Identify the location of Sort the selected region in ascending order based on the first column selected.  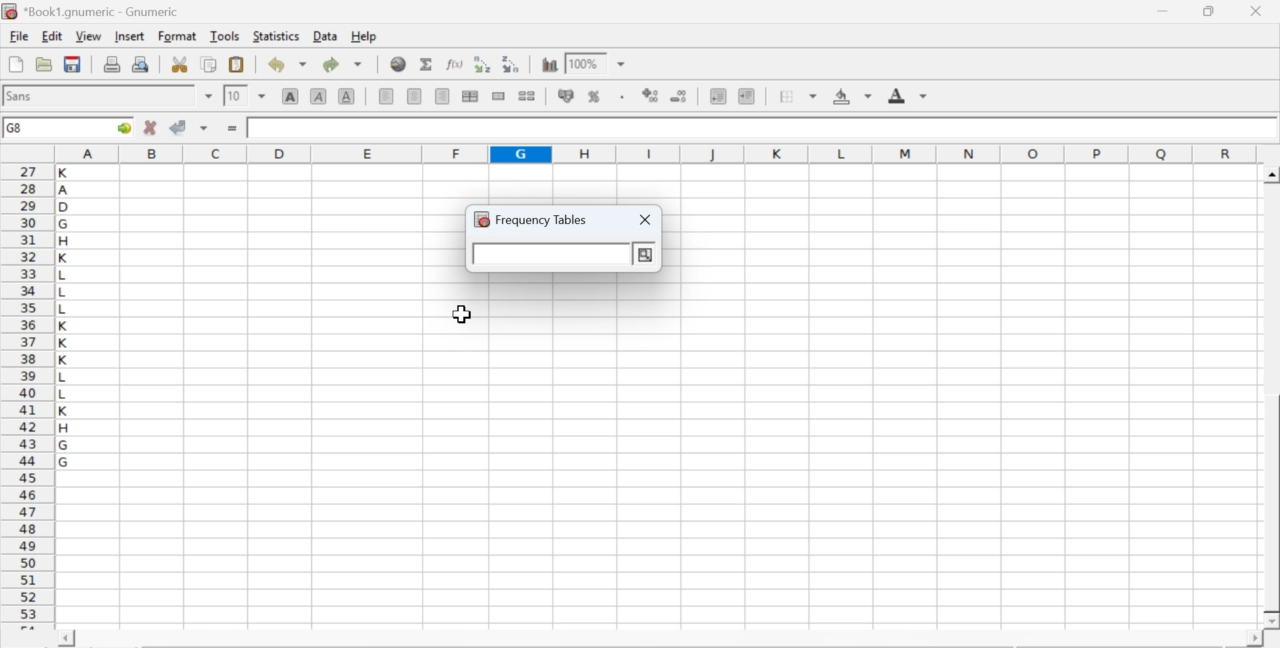
(485, 64).